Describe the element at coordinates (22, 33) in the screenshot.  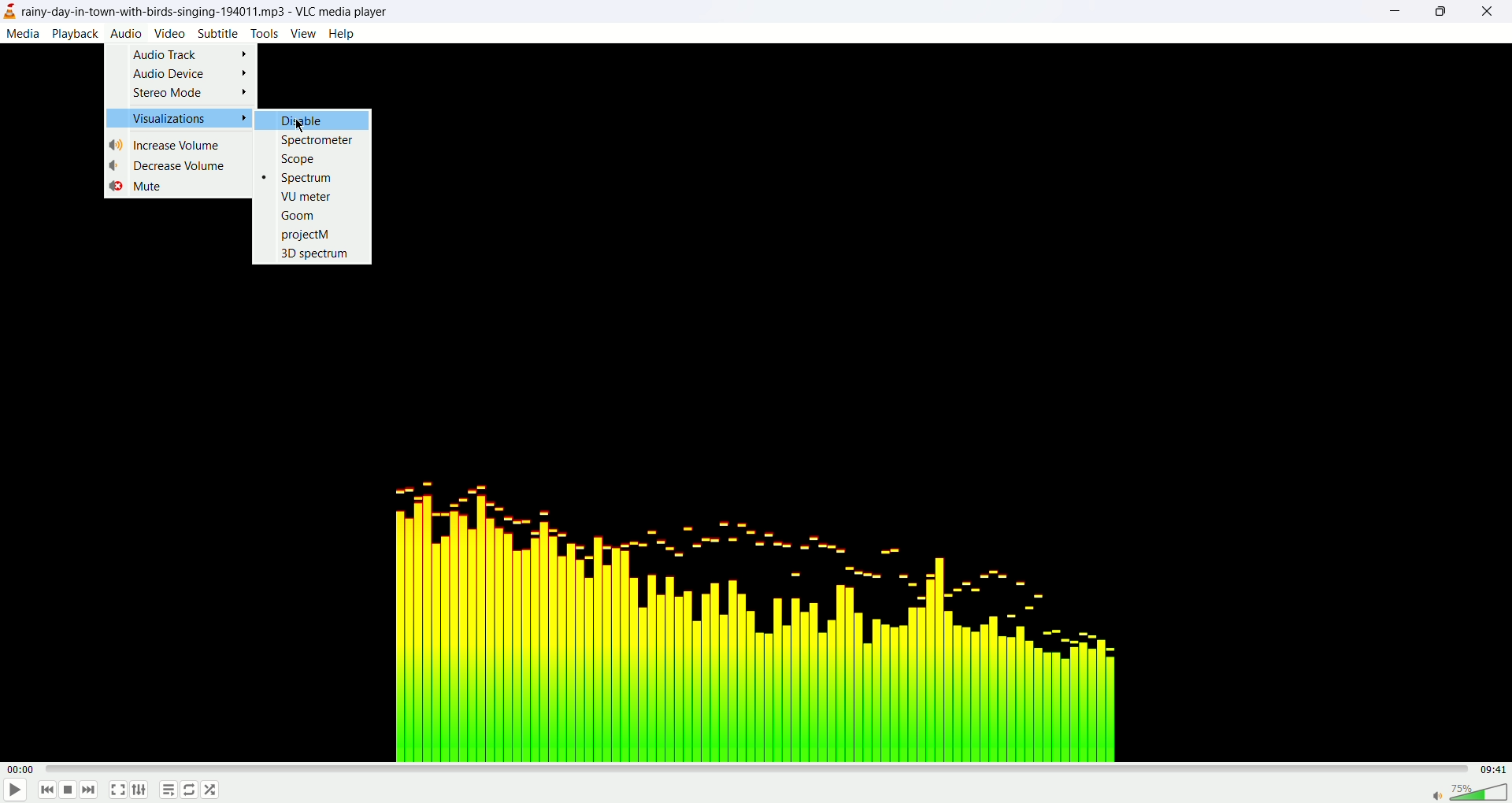
I see `media` at that location.